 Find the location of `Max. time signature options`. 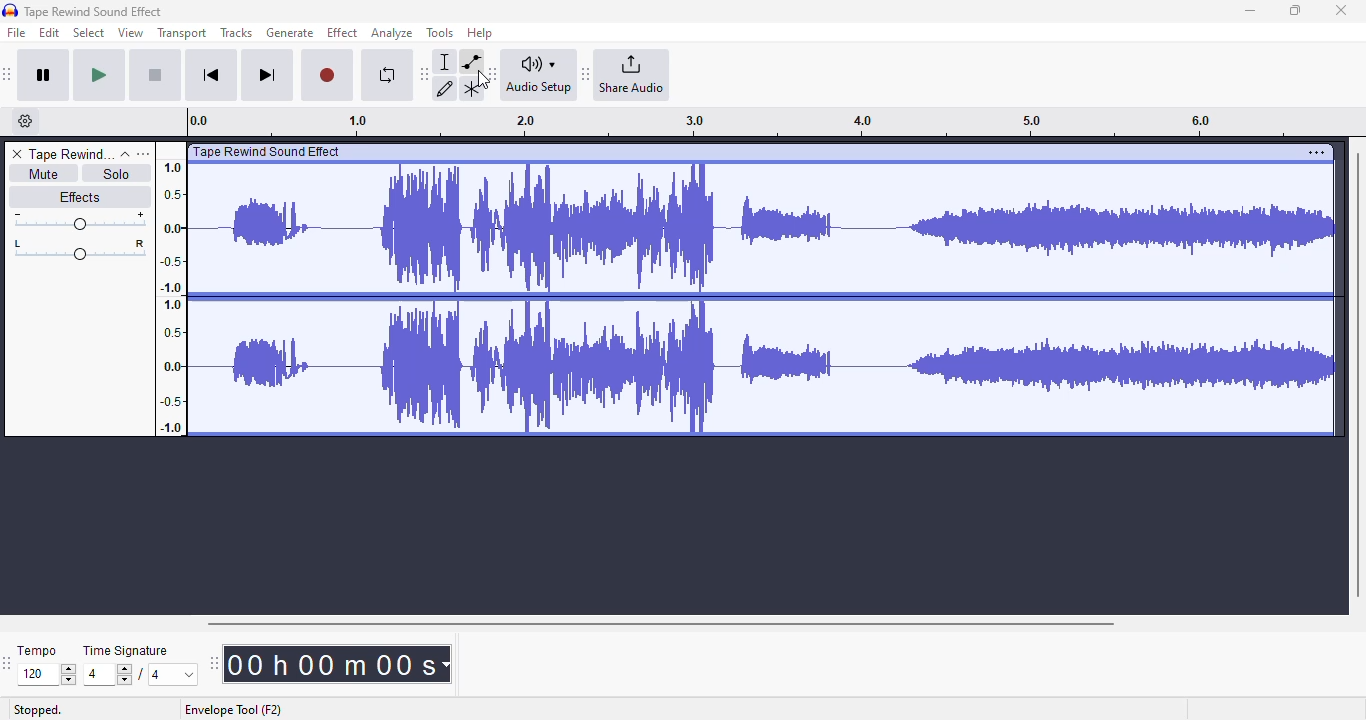

Max. time signature options is located at coordinates (174, 674).